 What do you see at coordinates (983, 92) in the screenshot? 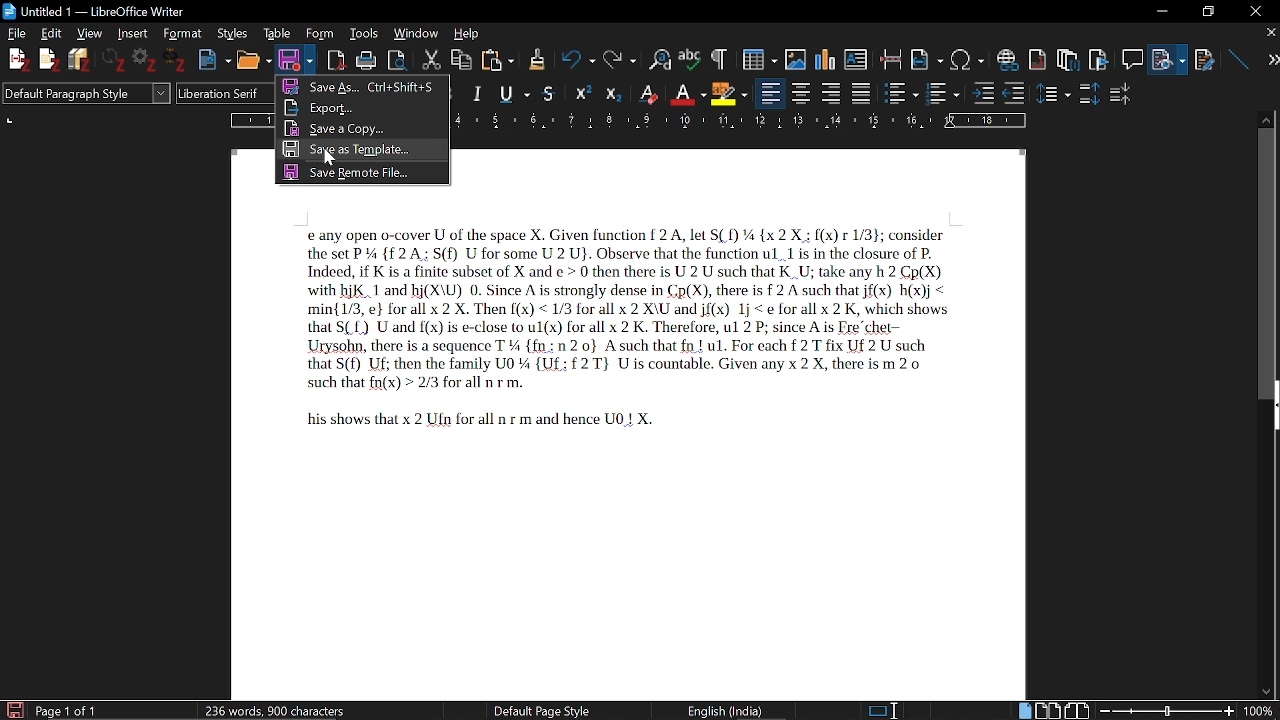
I see `` at bounding box center [983, 92].